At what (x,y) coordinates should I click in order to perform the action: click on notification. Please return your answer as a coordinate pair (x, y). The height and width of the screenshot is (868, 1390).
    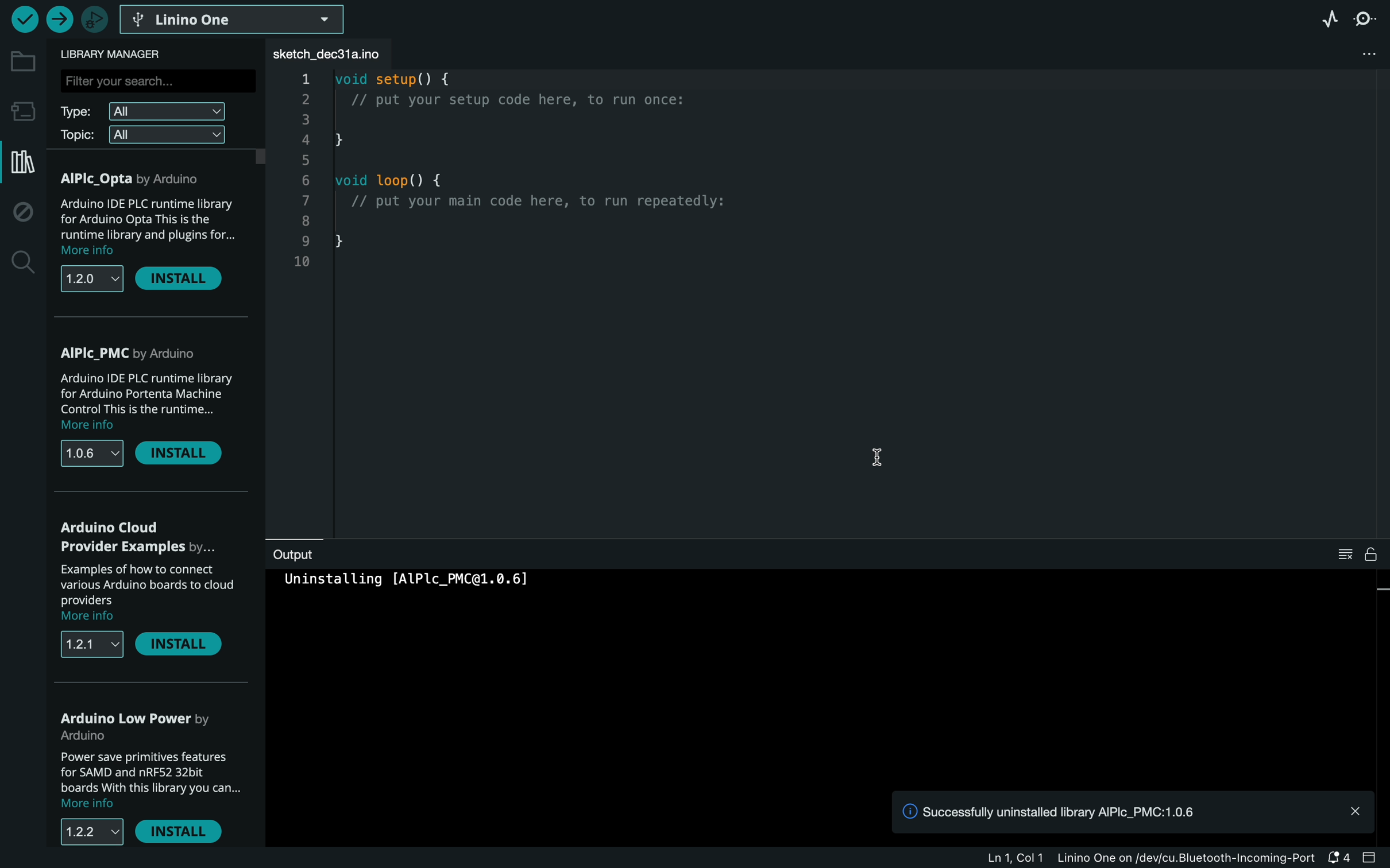
    Looking at the image, I should click on (1339, 858).